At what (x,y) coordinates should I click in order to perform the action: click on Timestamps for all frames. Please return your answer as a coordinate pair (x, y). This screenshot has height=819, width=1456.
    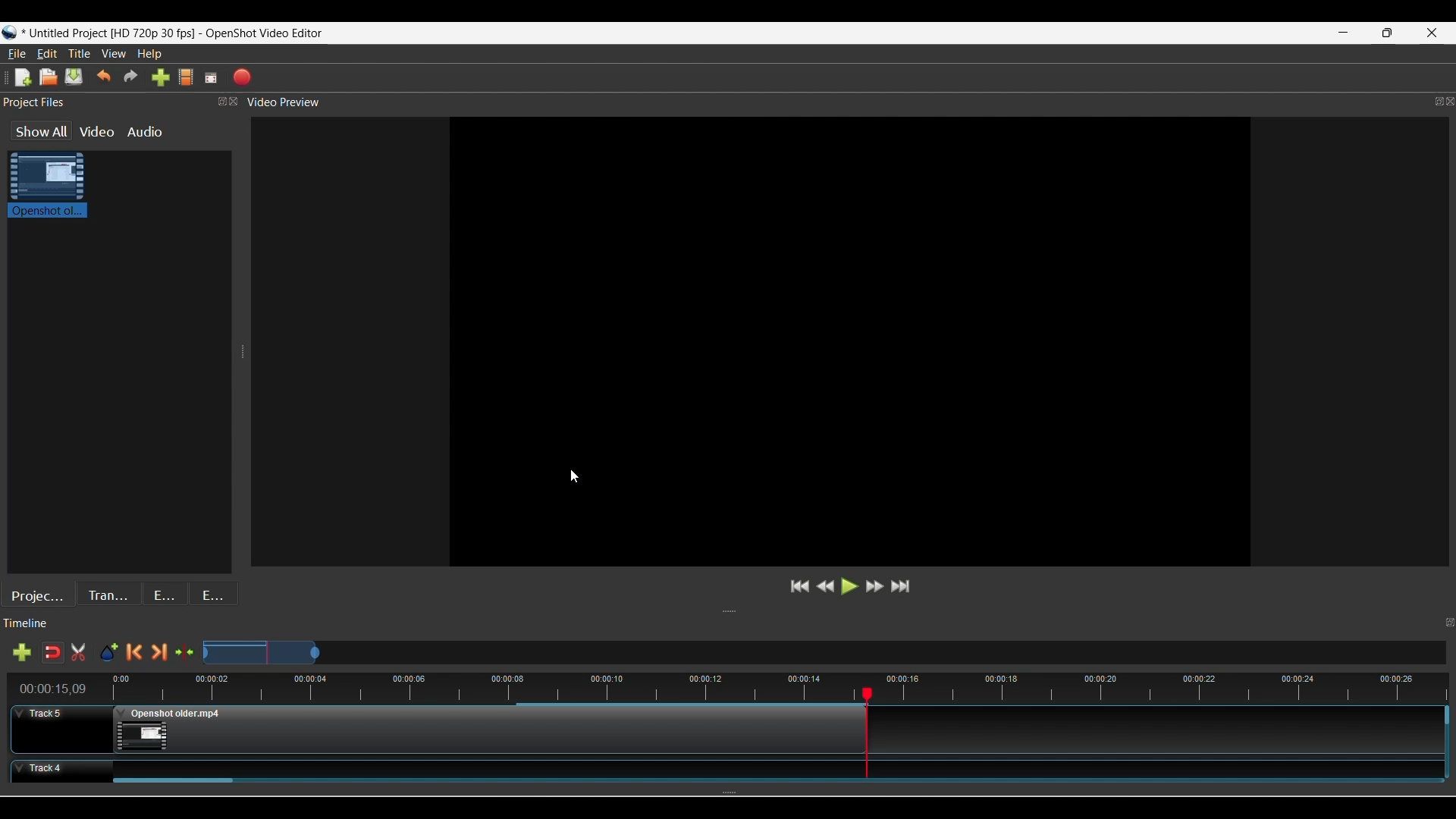
    Looking at the image, I should click on (482, 686).